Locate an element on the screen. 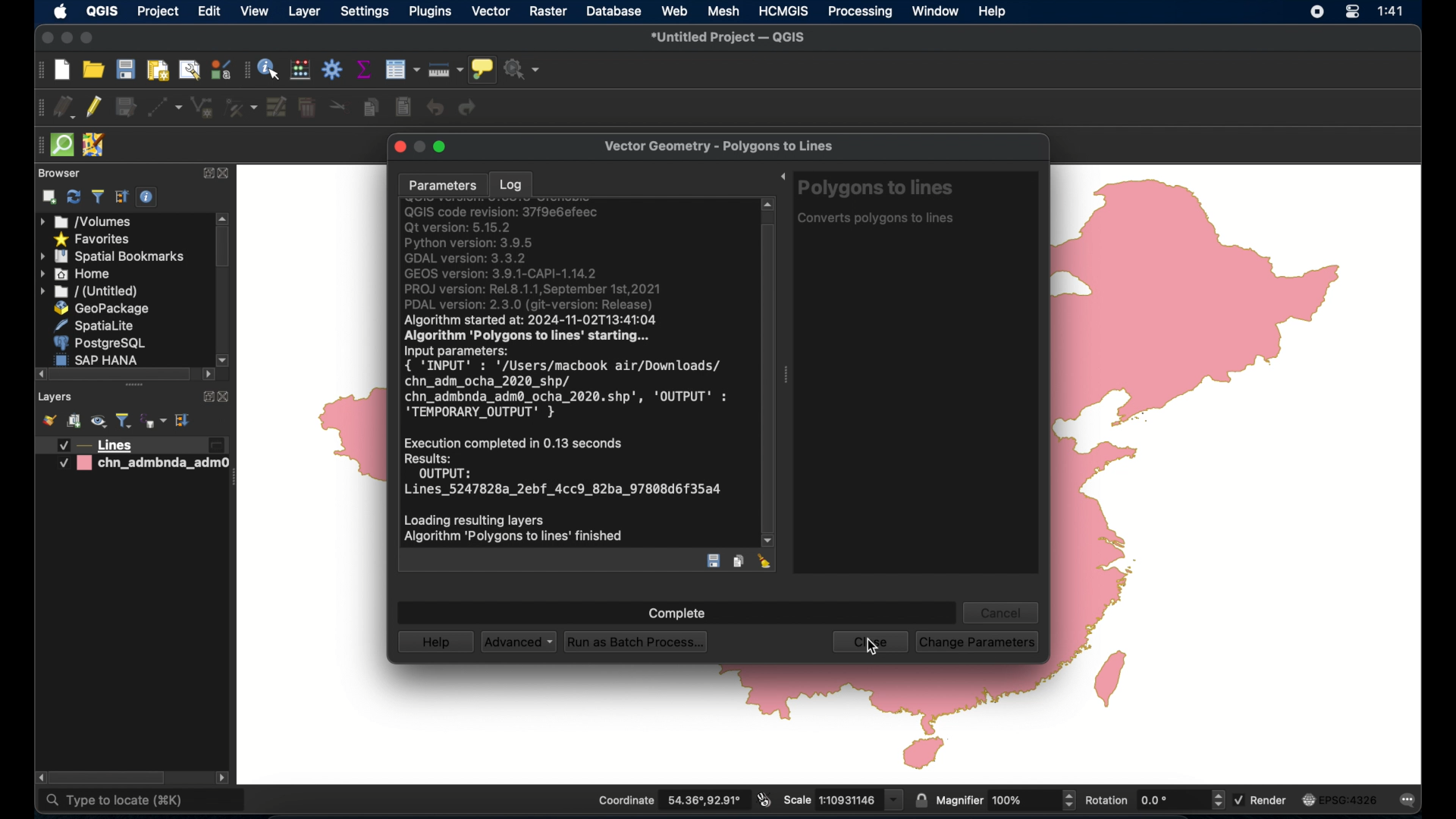 This screenshot has width=1456, height=819. paste features is located at coordinates (405, 108).